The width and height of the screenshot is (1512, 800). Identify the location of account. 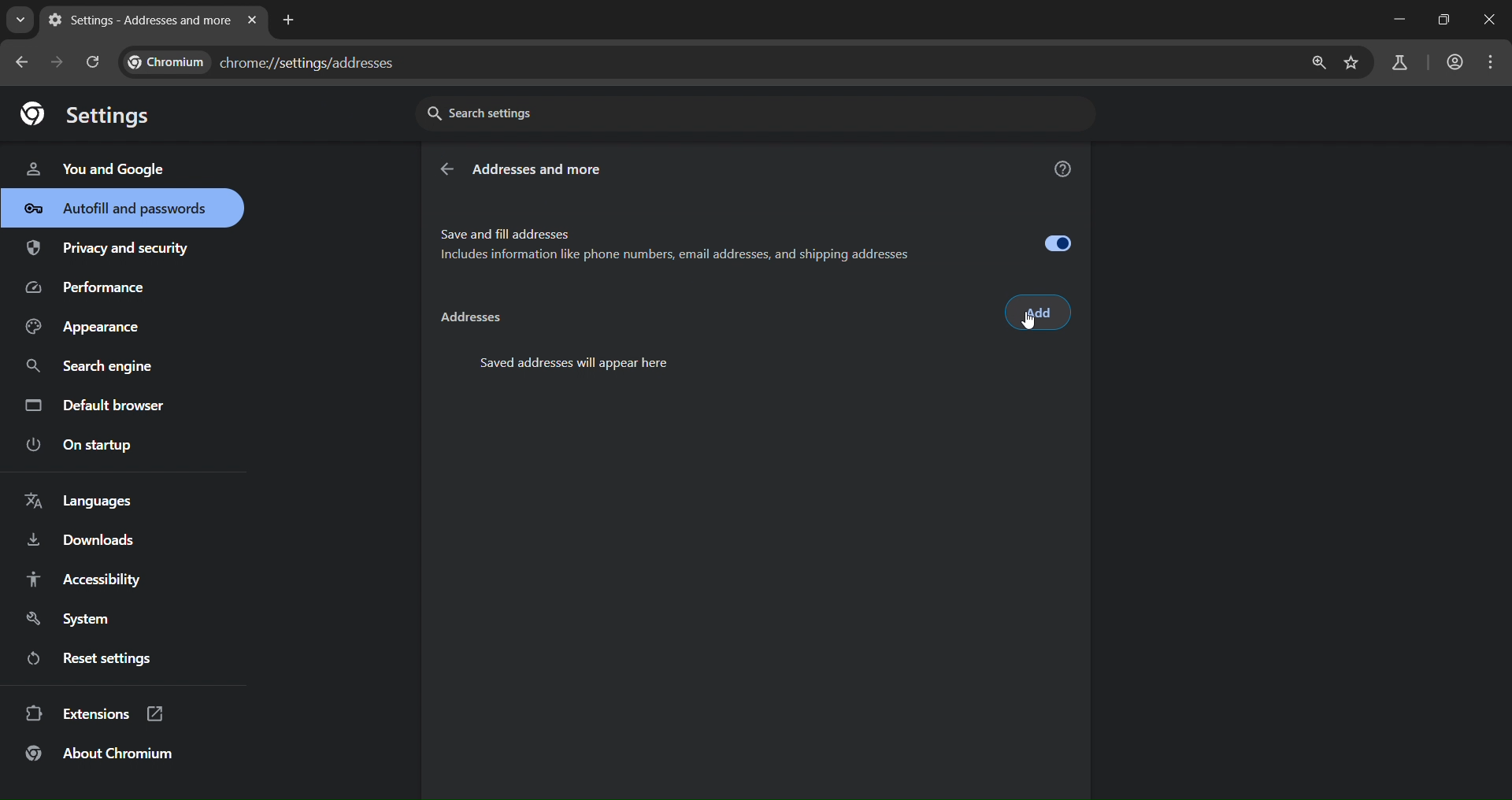
(1452, 64).